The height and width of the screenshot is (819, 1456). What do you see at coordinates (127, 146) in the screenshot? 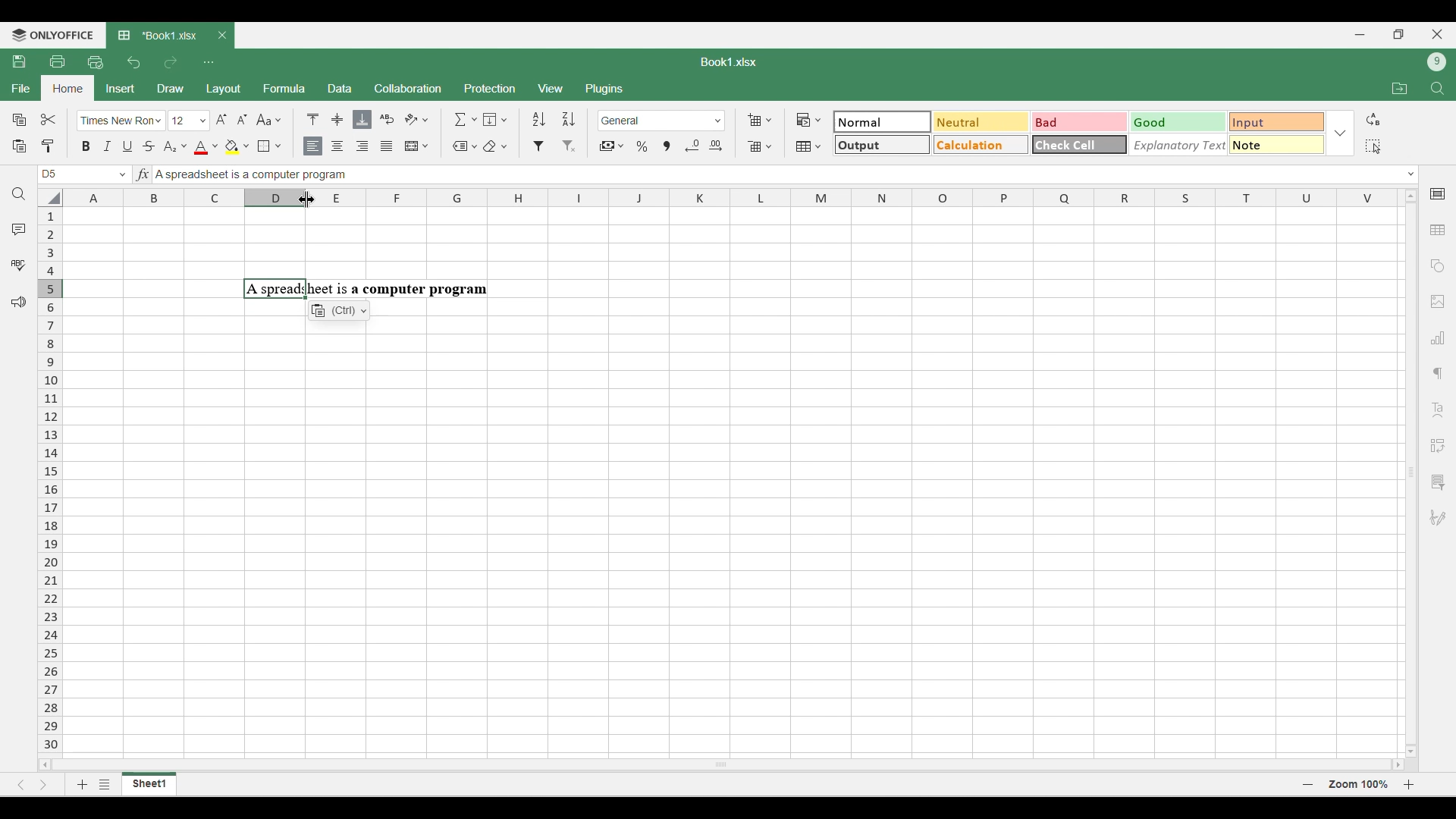
I see `Underline` at bounding box center [127, 146].